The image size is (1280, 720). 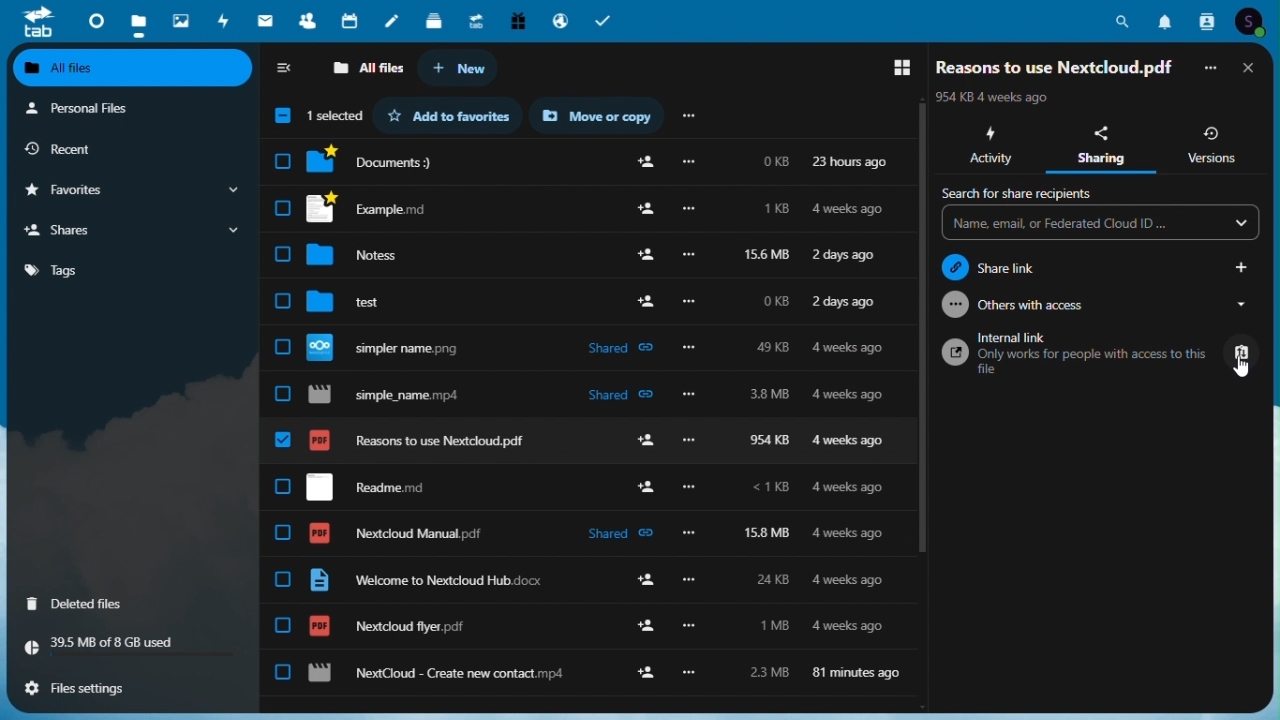 What do you see at coordinates (33, 22) in the screenshot?
I see `tab` at bounding box center [33, 22].